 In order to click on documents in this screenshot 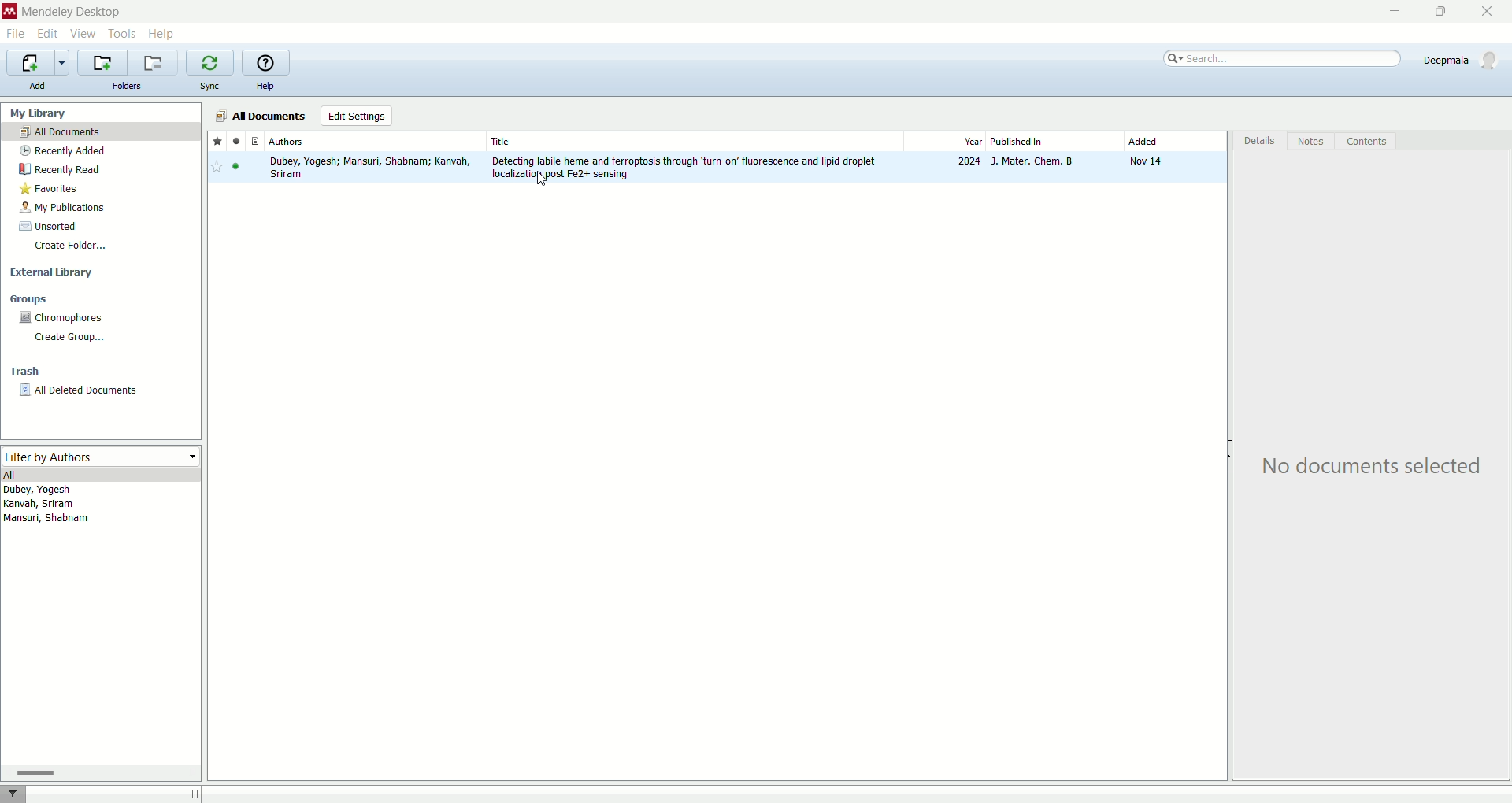, I will do `click(253, 142)`.